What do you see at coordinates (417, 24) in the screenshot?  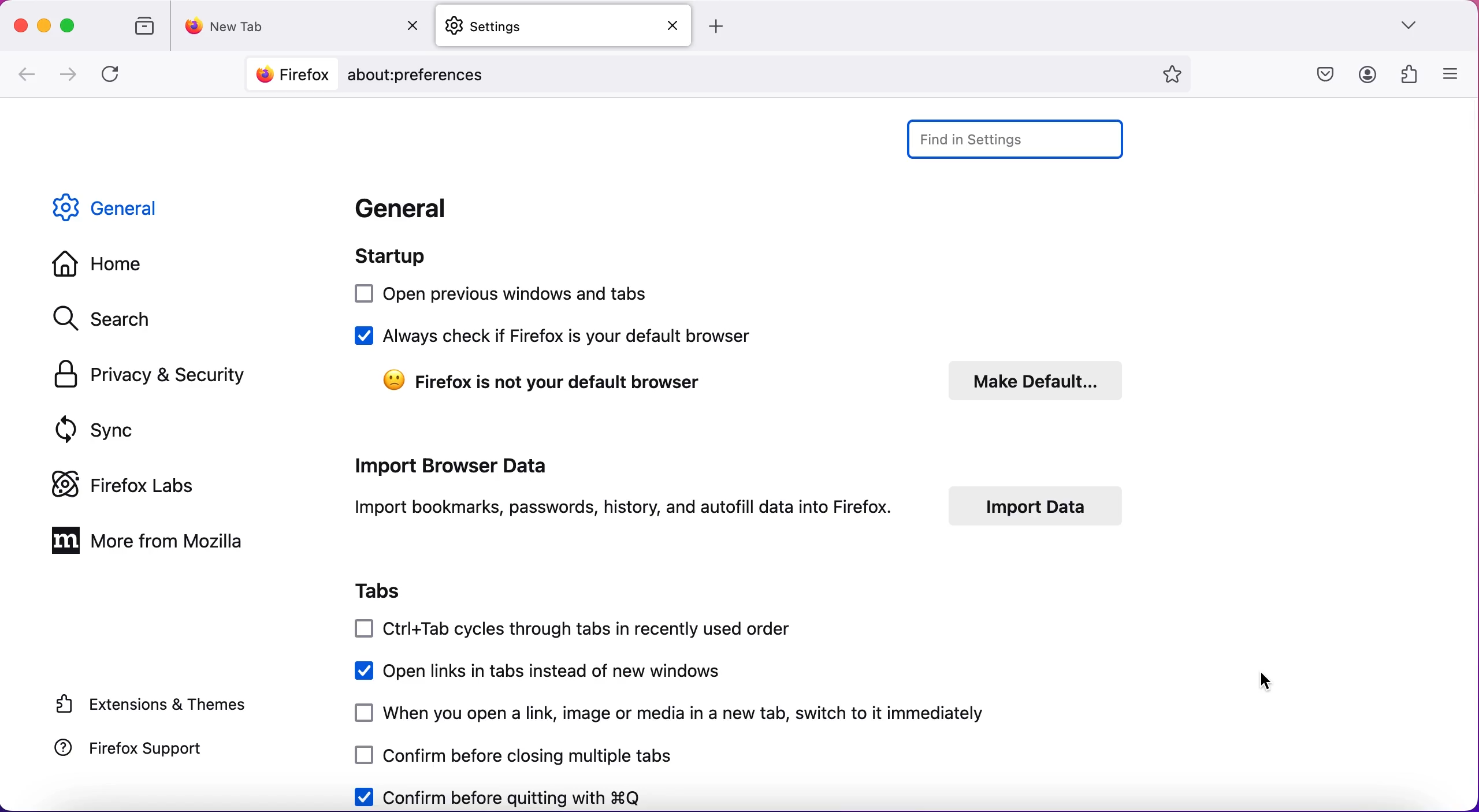 I see `Close tab` at bounding box center [417, 24].